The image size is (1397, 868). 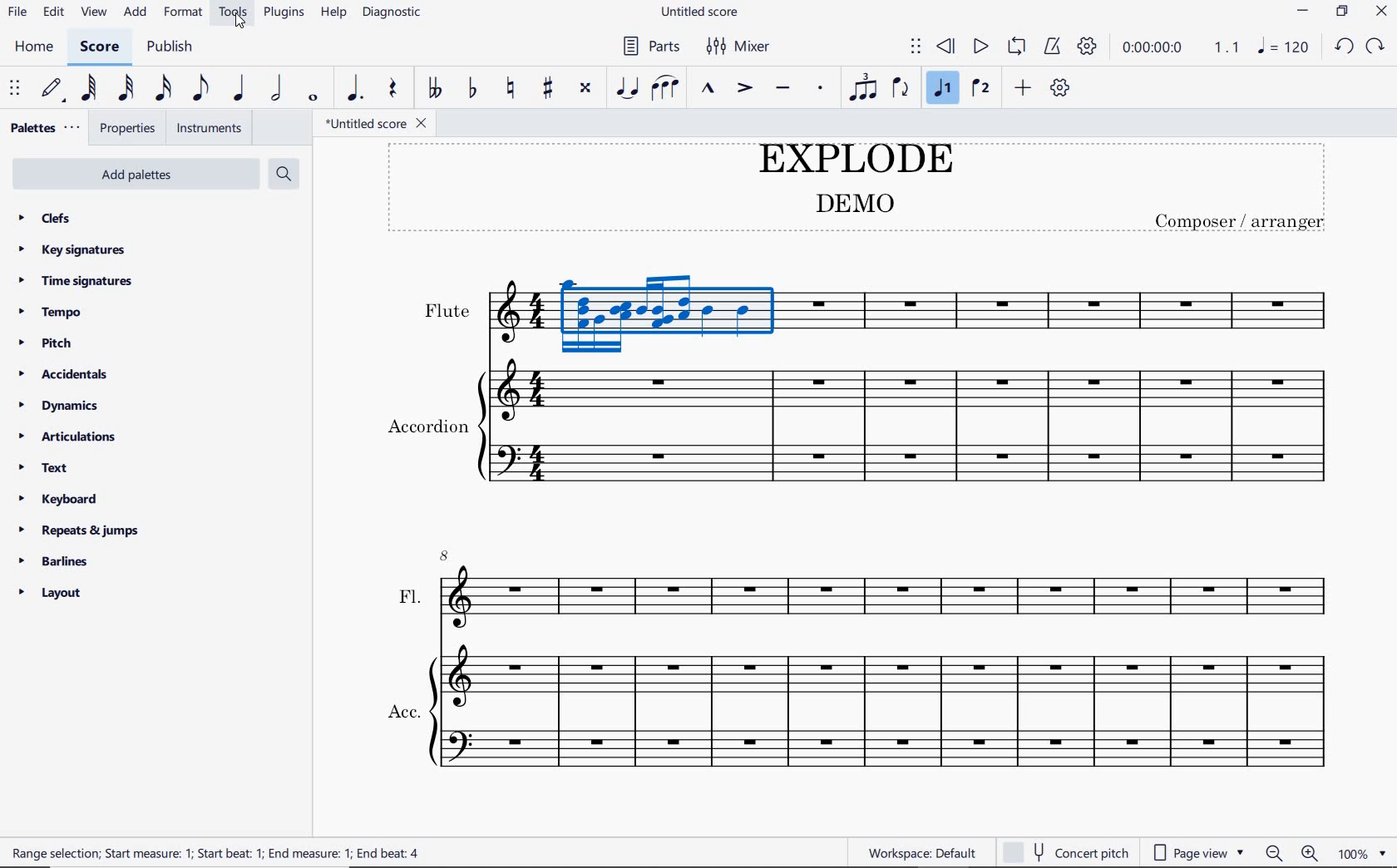 I want to click on file name, so click(x=377, y=125).